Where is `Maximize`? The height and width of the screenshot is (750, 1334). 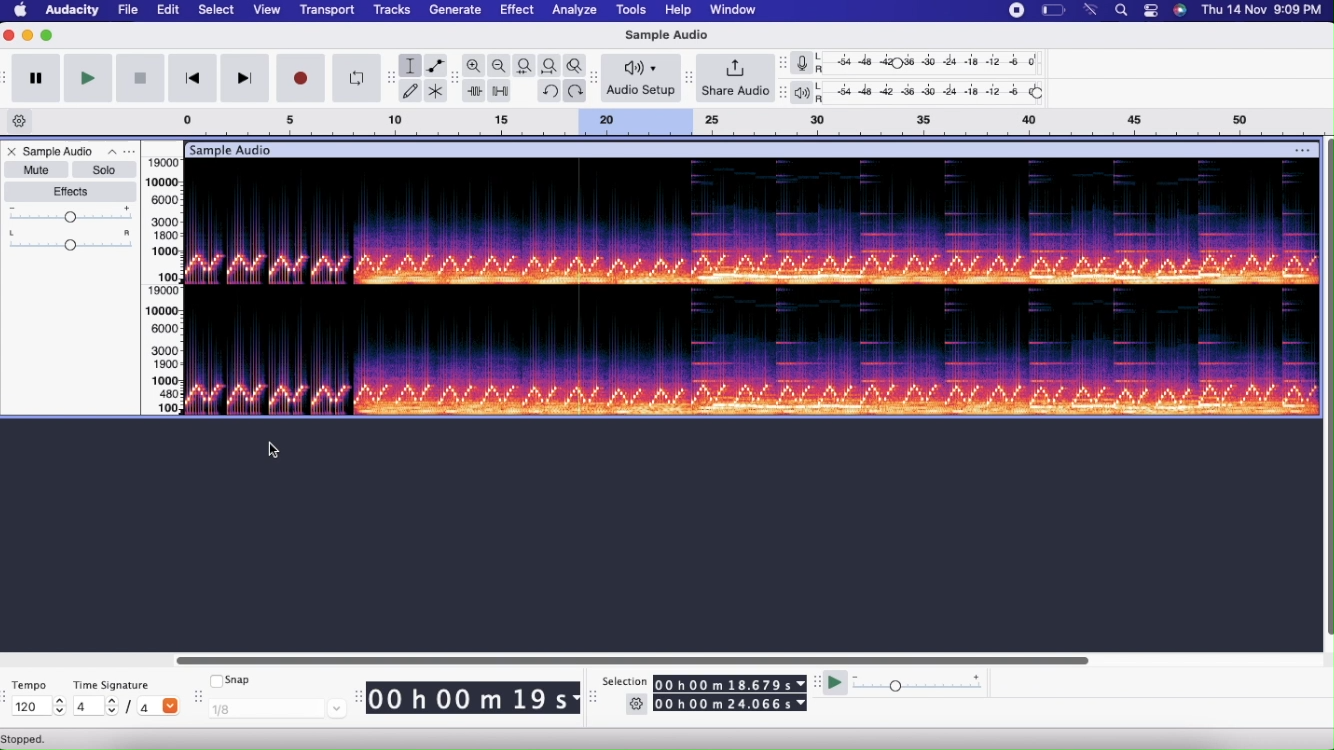 Maximize is located at coordinates (47, 35).